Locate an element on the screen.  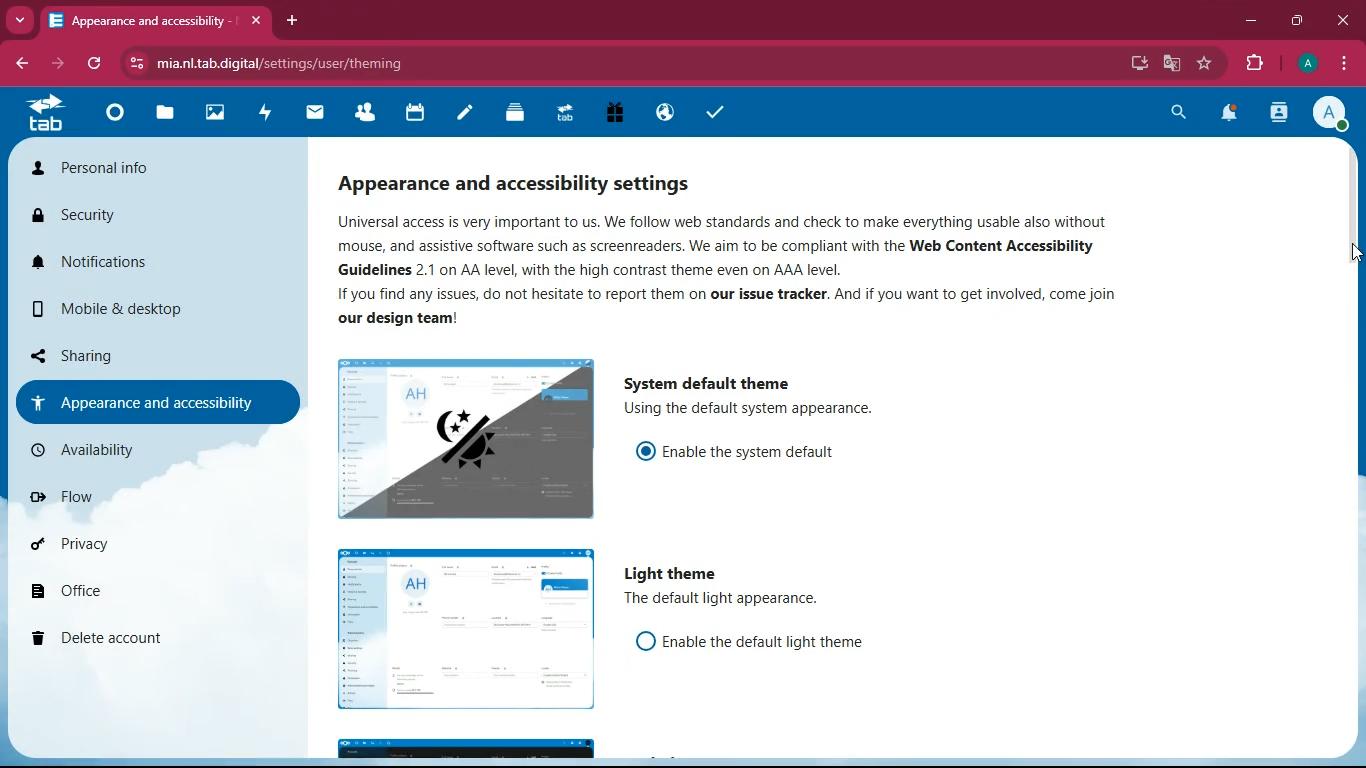
home is located at coordinates (120, 117).